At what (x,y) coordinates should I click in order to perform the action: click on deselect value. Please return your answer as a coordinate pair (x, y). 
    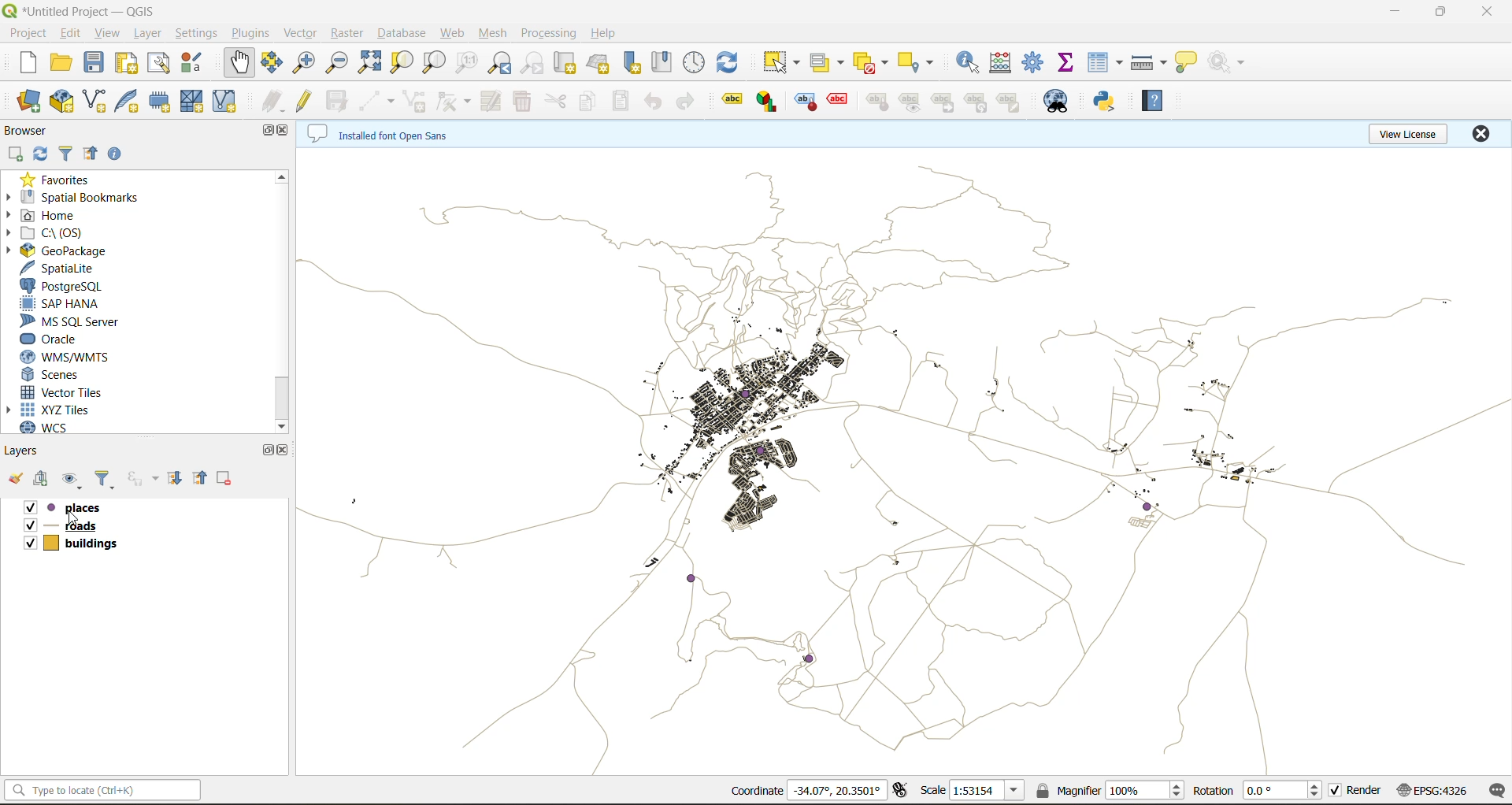
    Looking at the image, I should click on (870, 61).